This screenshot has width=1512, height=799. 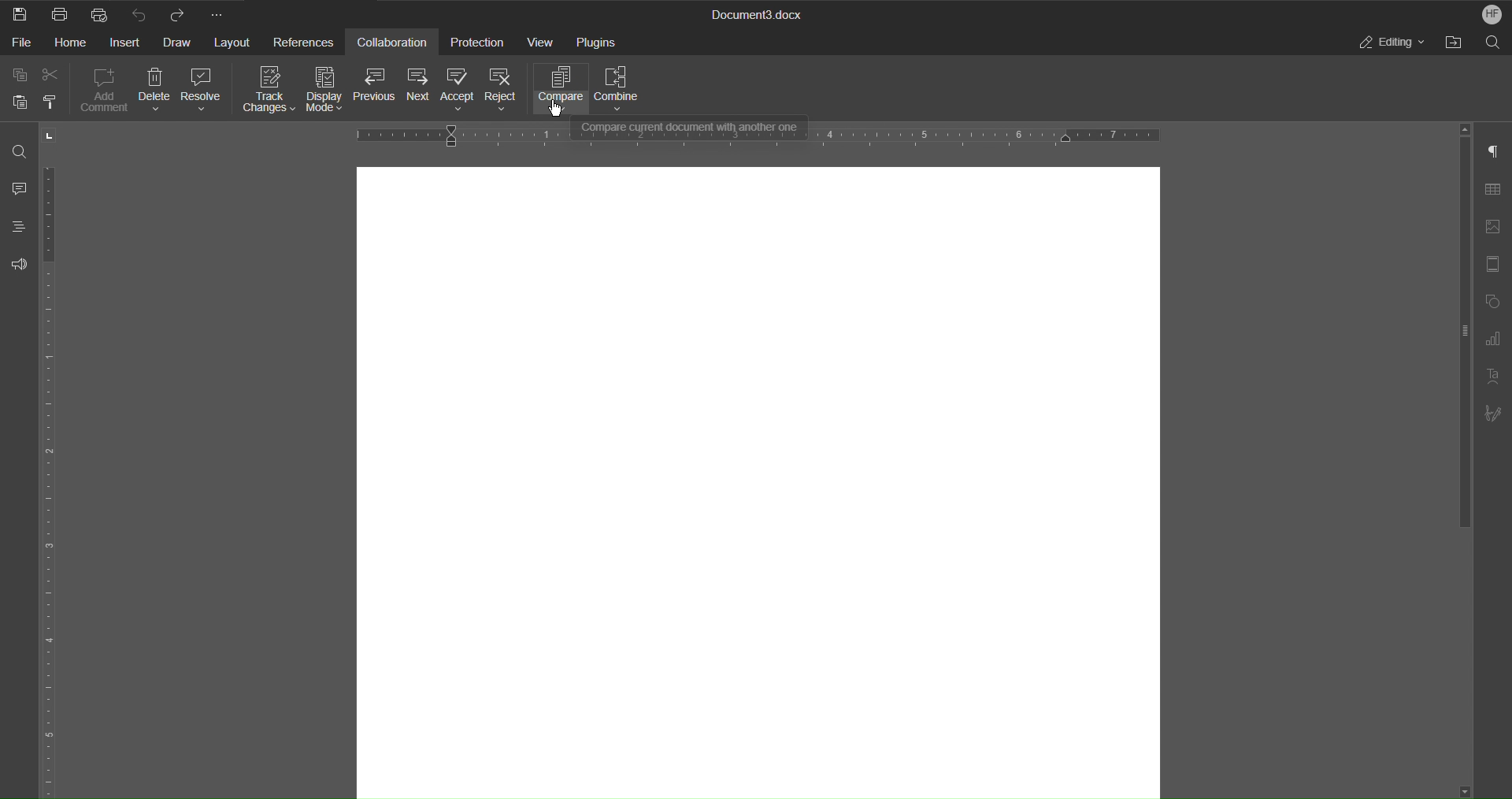 I want to click on Add Comment, so click(x=104, y=88).